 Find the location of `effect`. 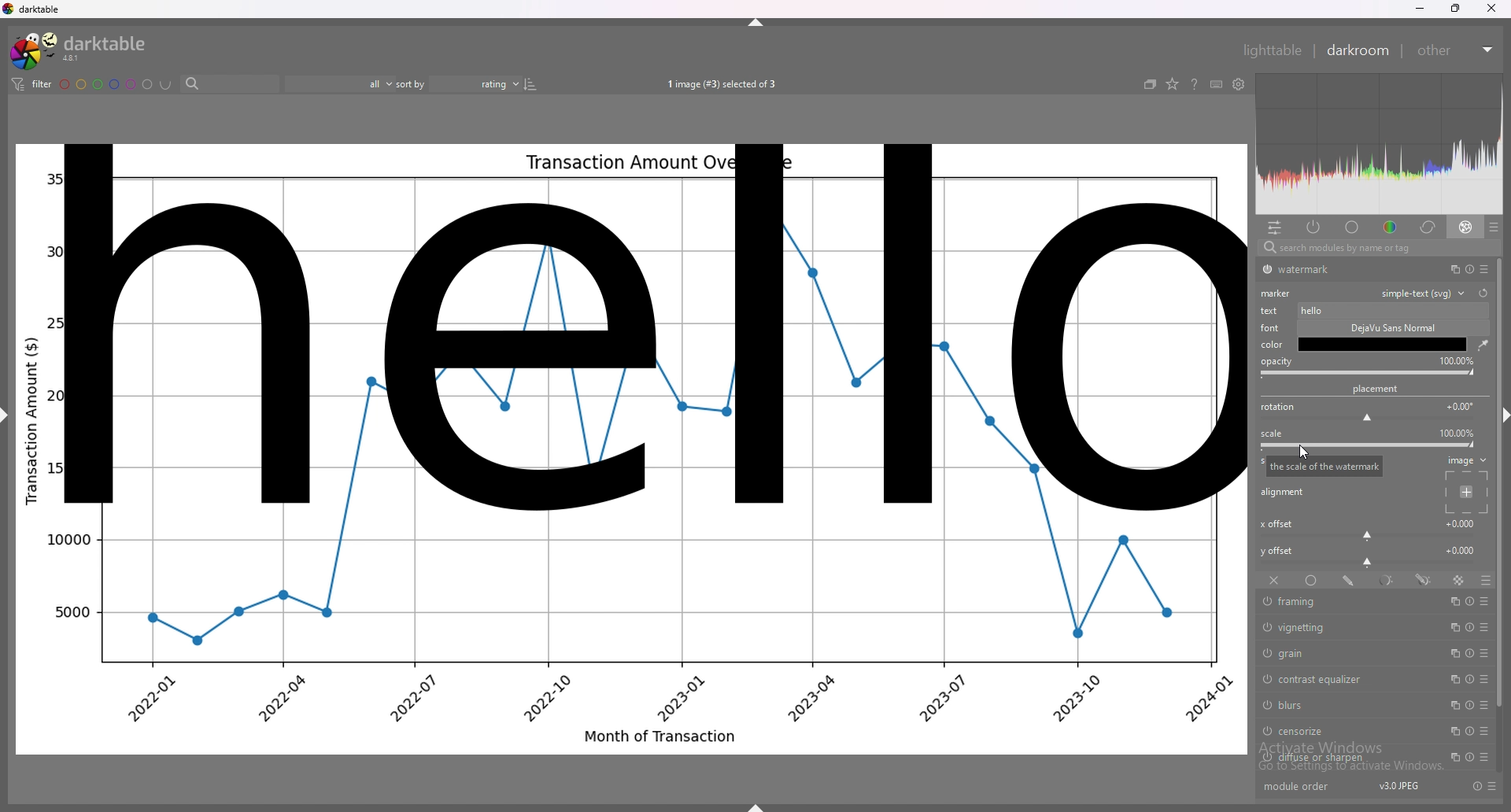

effect is located at coordinates (1466, 227).